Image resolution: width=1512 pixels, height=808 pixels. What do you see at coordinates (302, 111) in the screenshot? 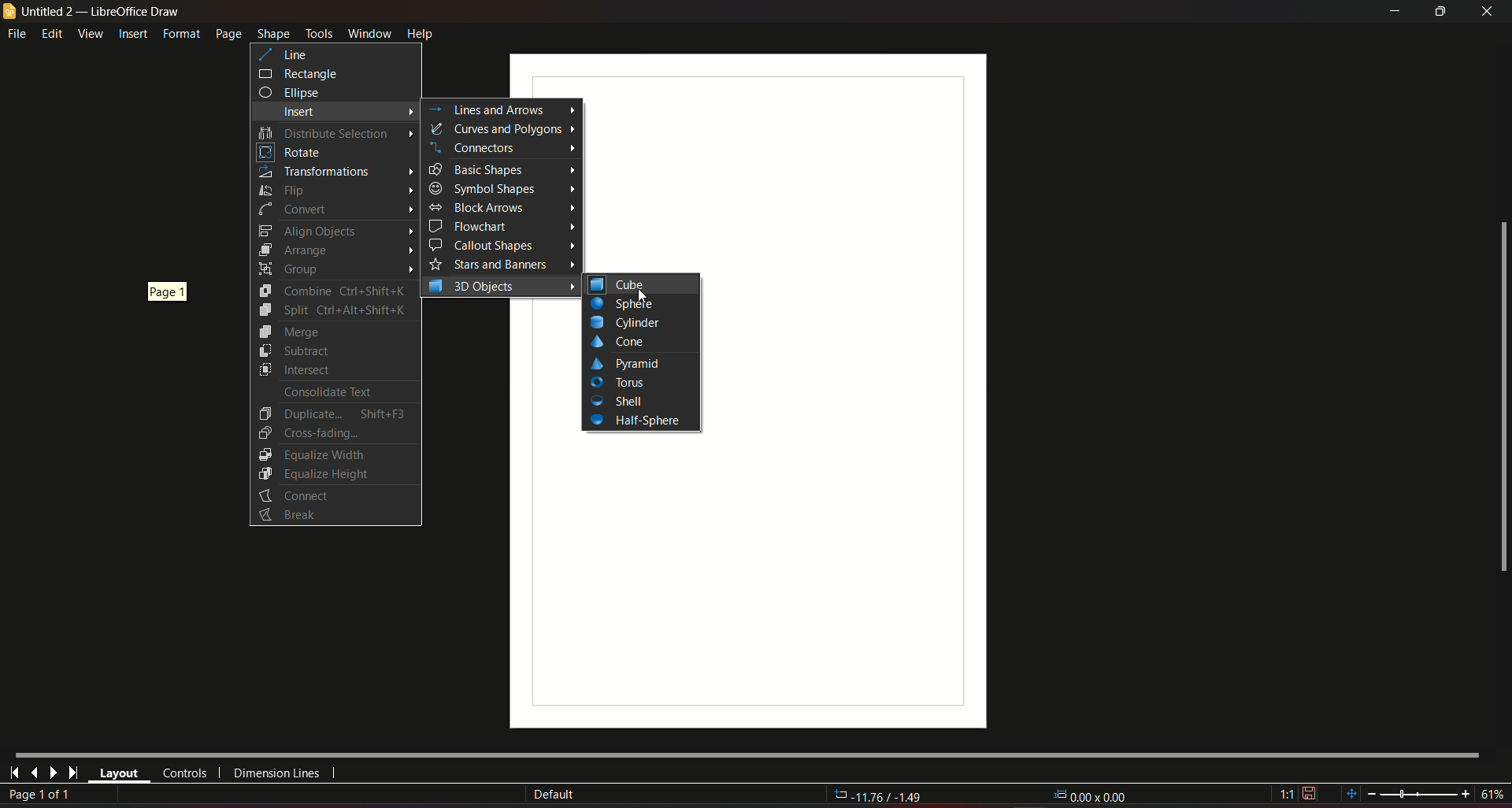
I see `insert` at bounding box center [302, 111].